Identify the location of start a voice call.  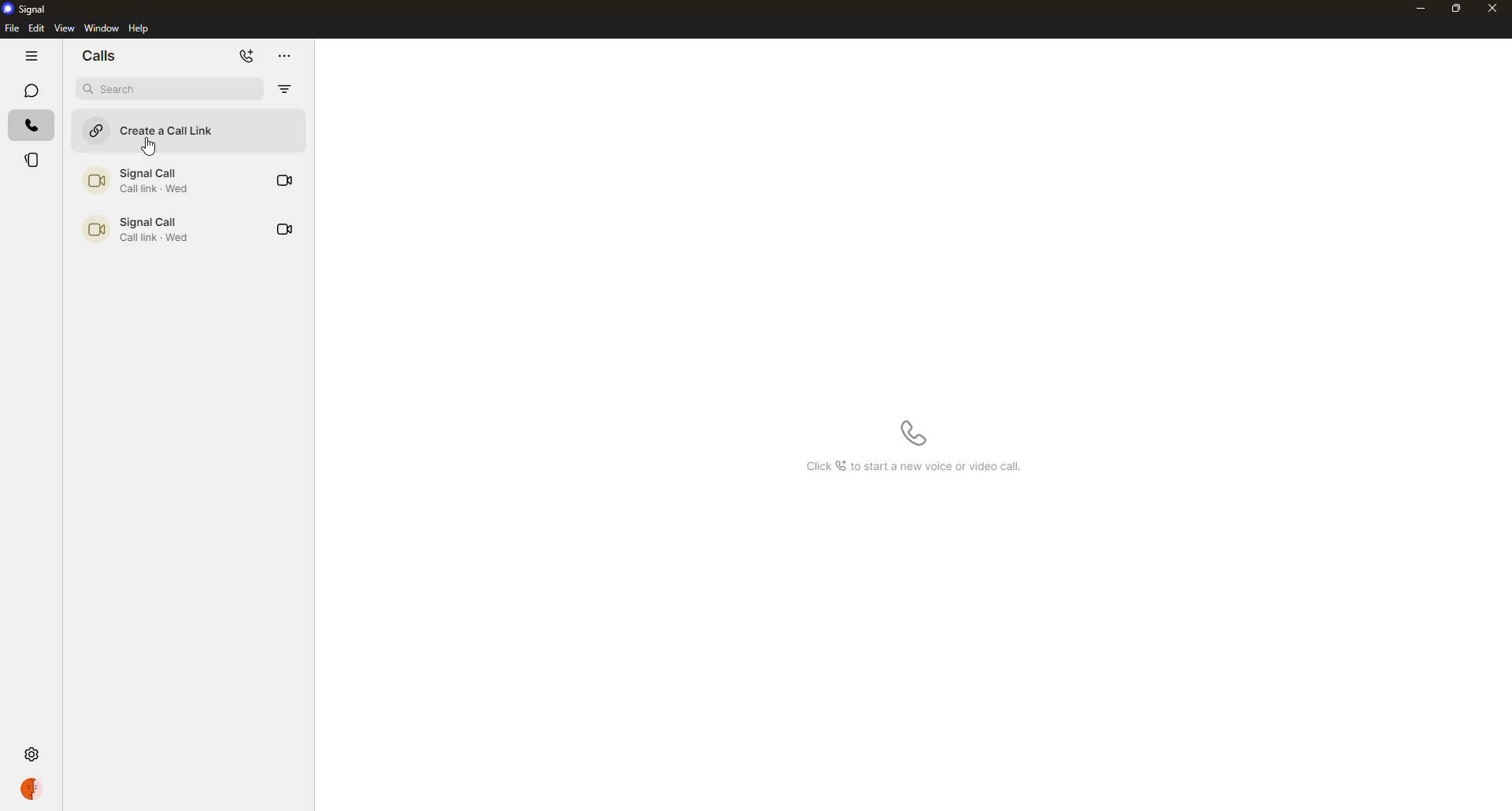
(913, 433).